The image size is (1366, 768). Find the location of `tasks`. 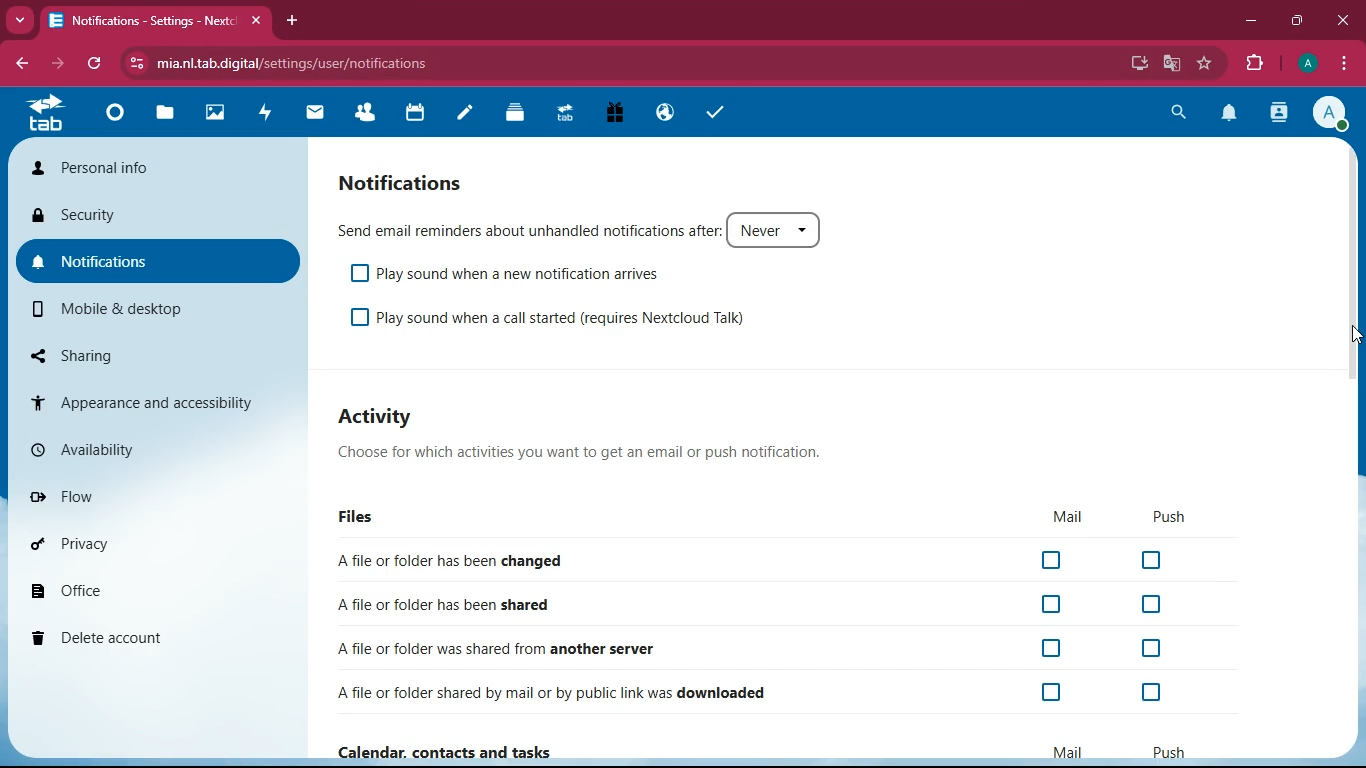

tasks is located at coordinates (718, 112).